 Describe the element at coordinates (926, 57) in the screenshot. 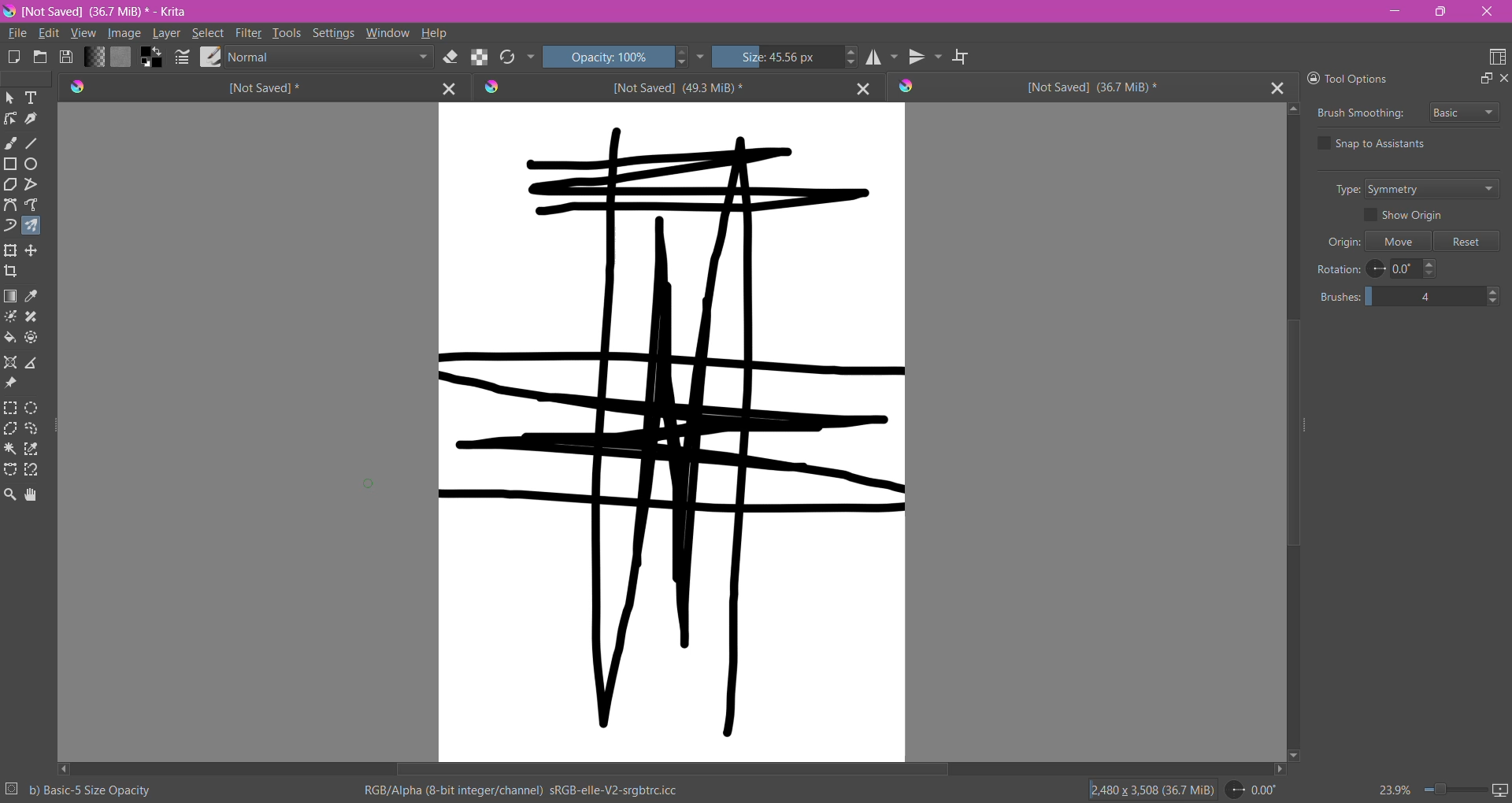

I see `Vertical Mirror Tool` at that location.